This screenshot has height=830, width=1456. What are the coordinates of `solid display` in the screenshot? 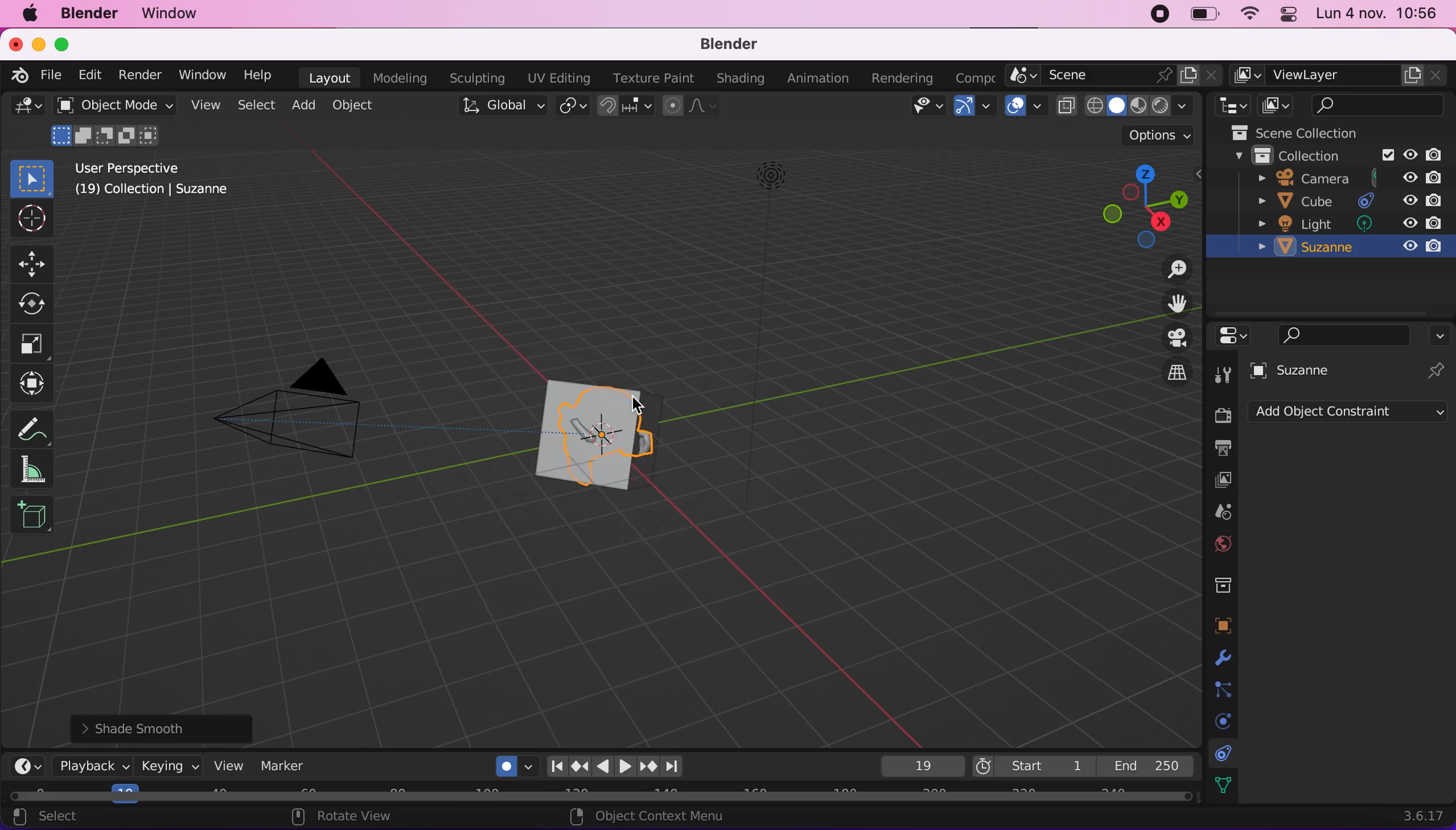 It's located at (1115, 107).